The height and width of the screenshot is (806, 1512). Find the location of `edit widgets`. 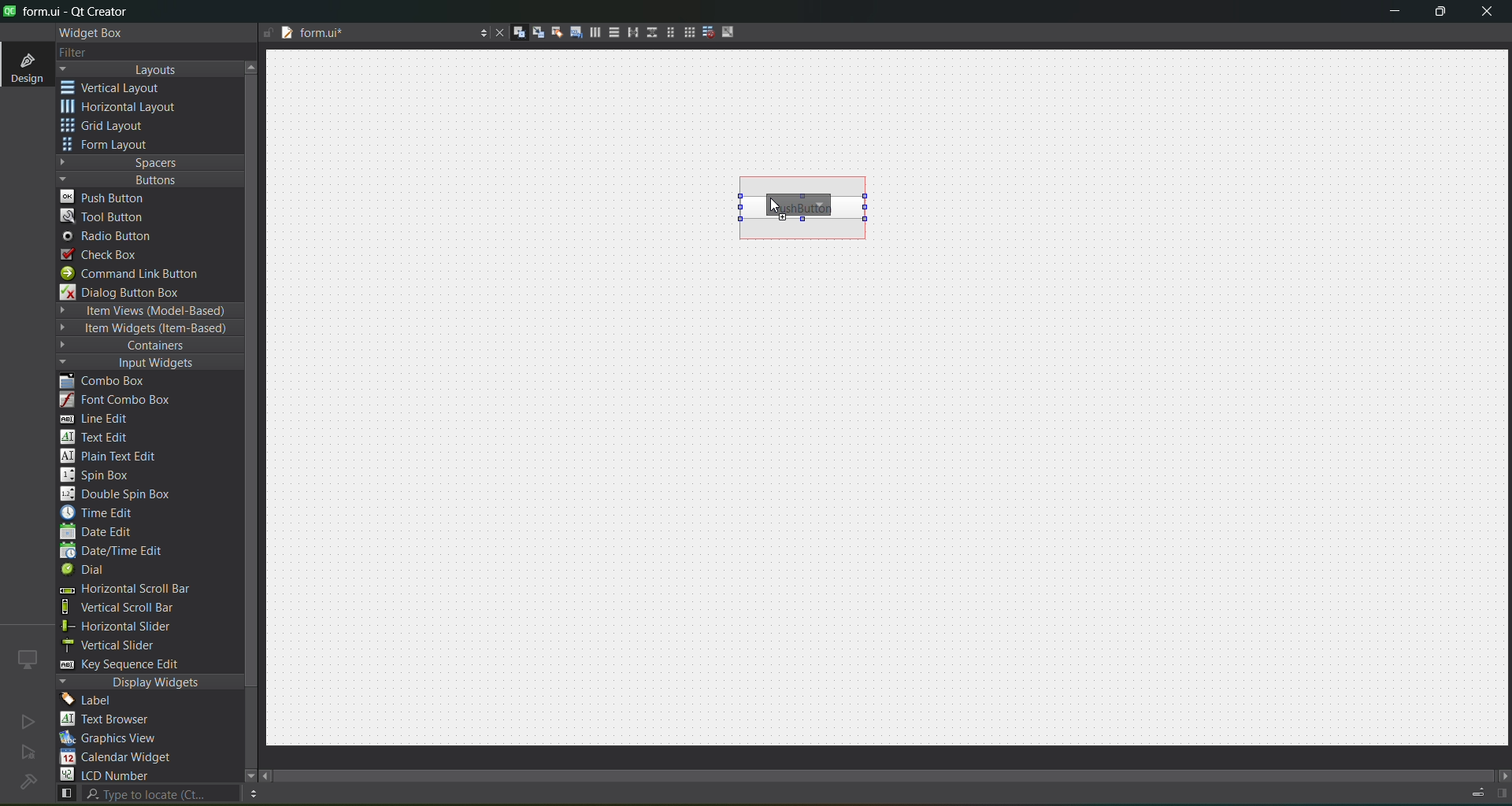

edit widgets is located at coordinates (513, 33).